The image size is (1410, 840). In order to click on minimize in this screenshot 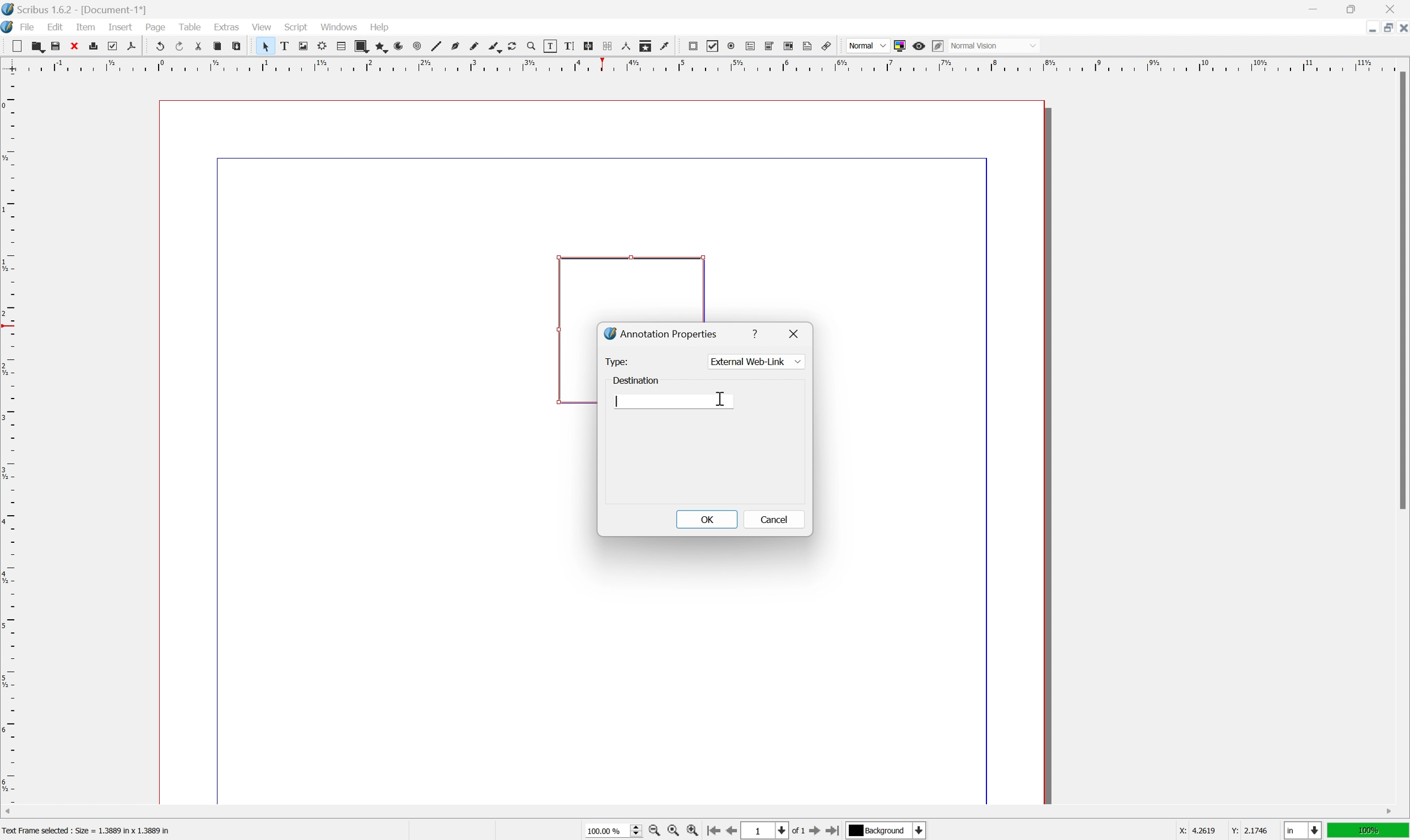, I will do `click(1312, 8)`.